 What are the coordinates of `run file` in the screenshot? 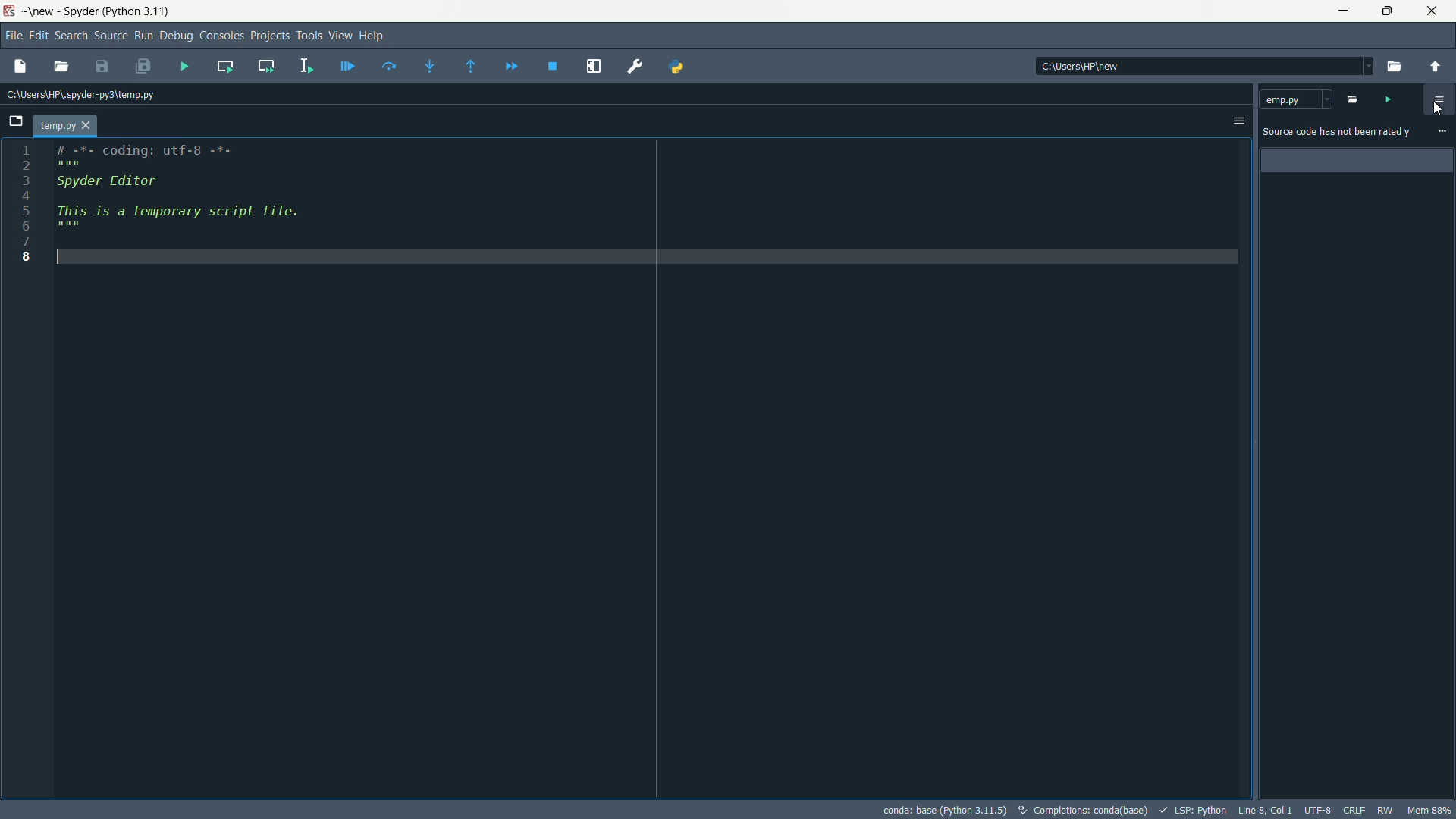 It's located at (184, 66).